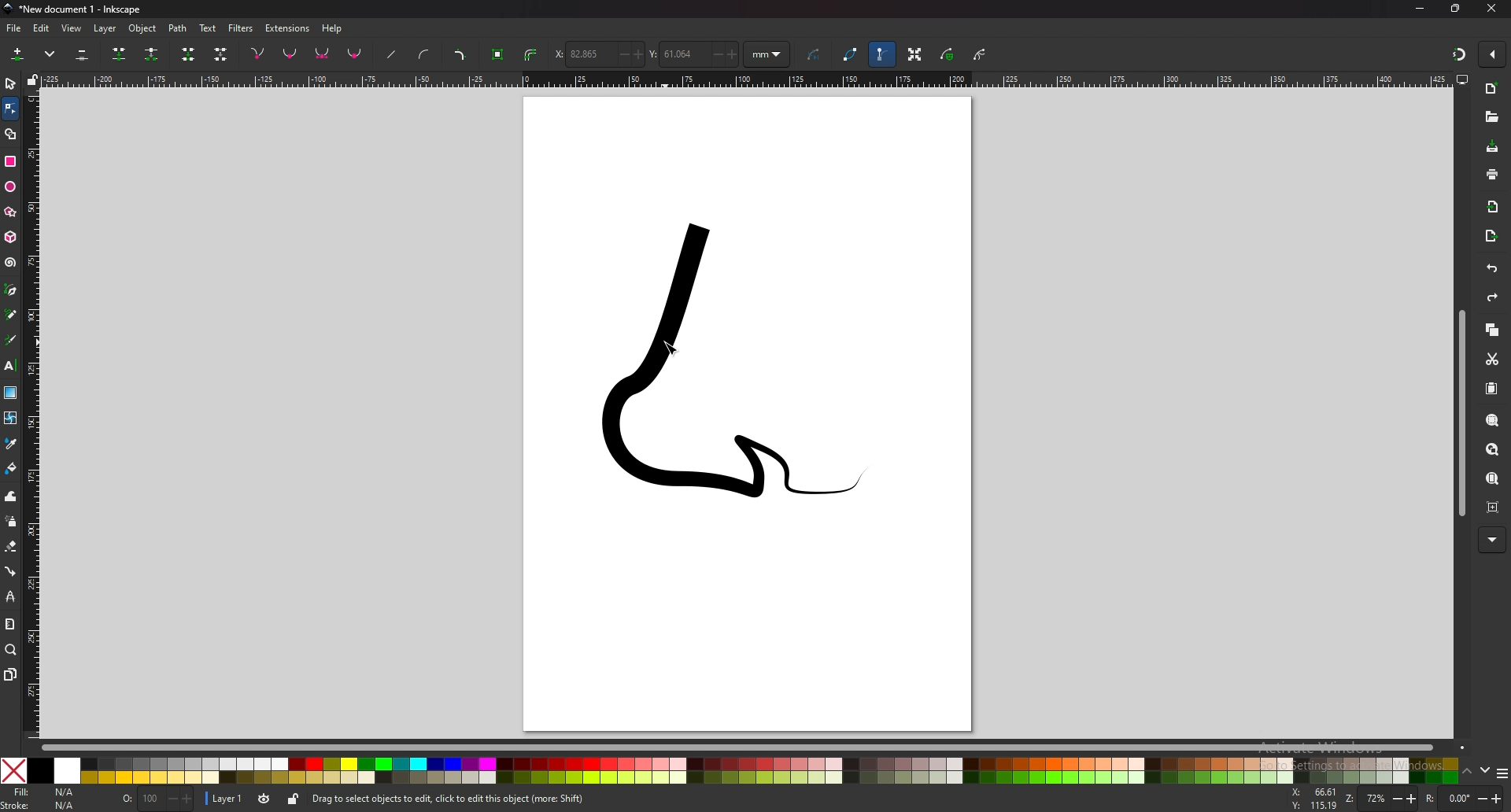 This screenshot has width=1511, height=812. What do you see at coordinates (816, 55) in the screenshot?
I see `next path effect parameter` at bounding box center [816, 55].